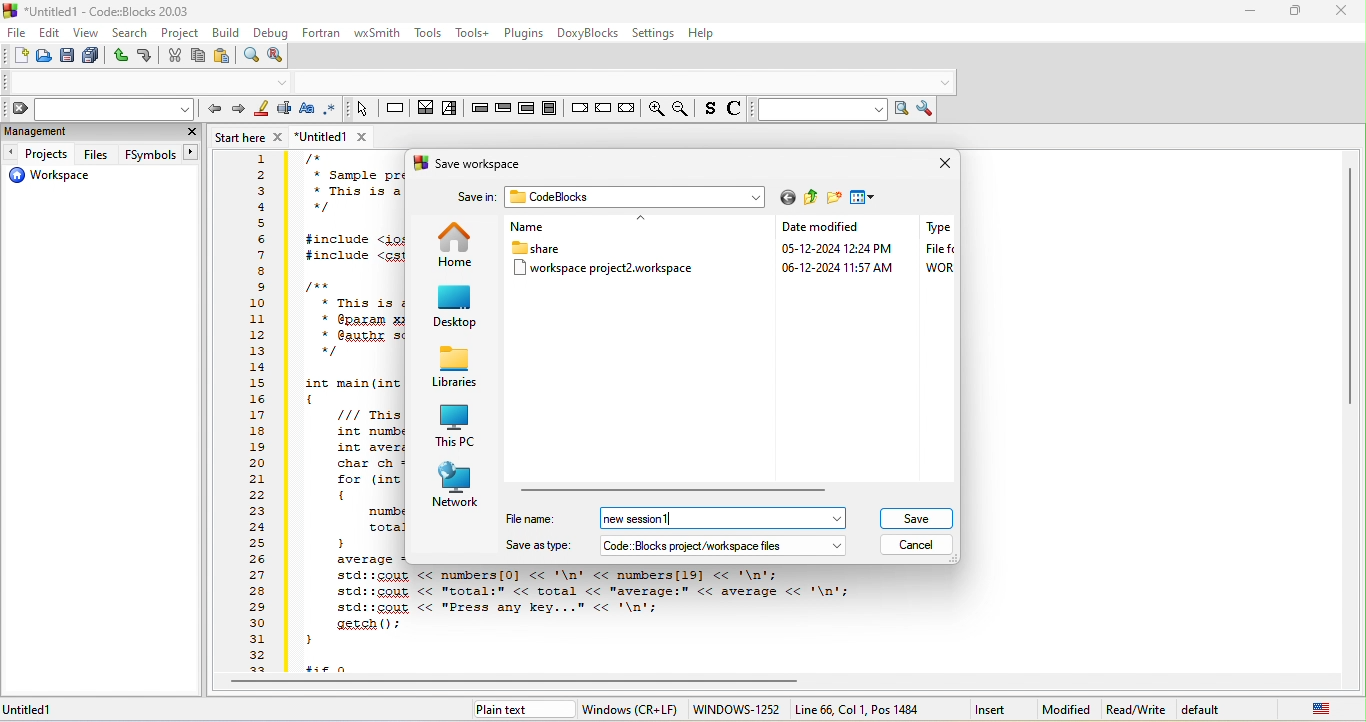 The image size is (1366, 722). What do you see at coordinates (310, 111) in the screenshot?
I see `match case` at bounding box center [310, 111].